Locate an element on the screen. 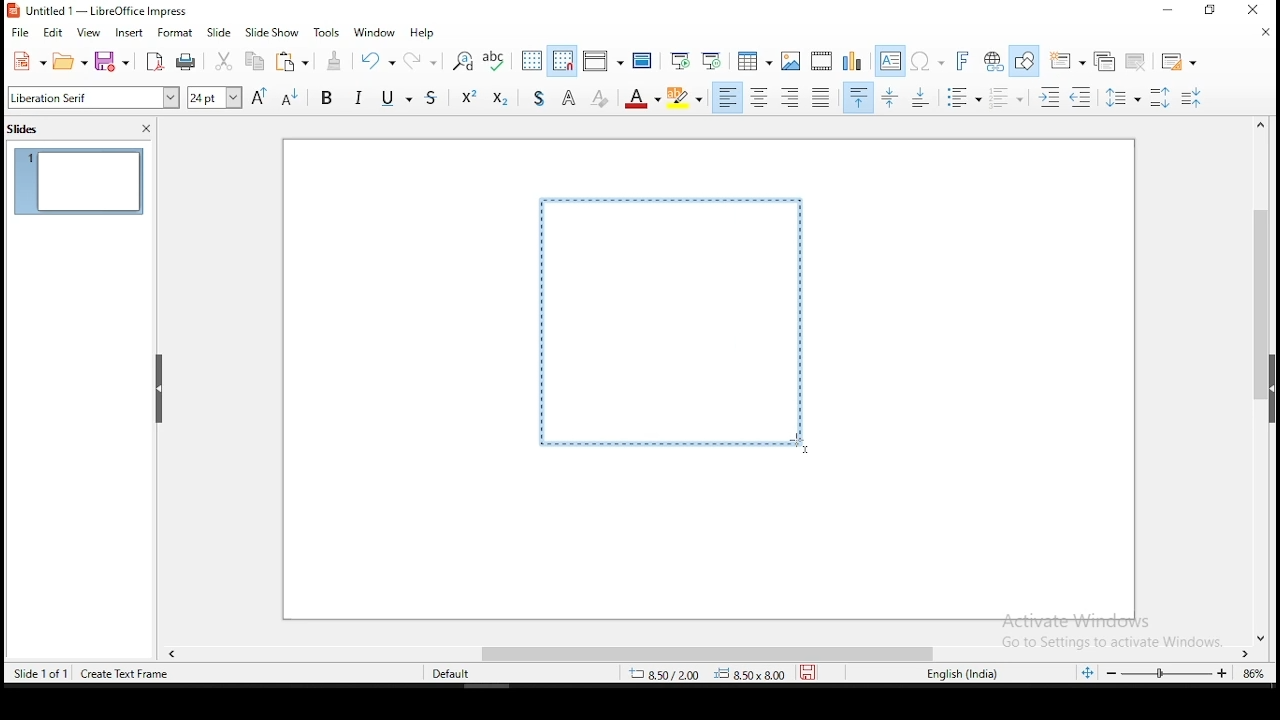 The width and height of the screenshot is (1280, 720). bold is located at coordinates (328, 101).